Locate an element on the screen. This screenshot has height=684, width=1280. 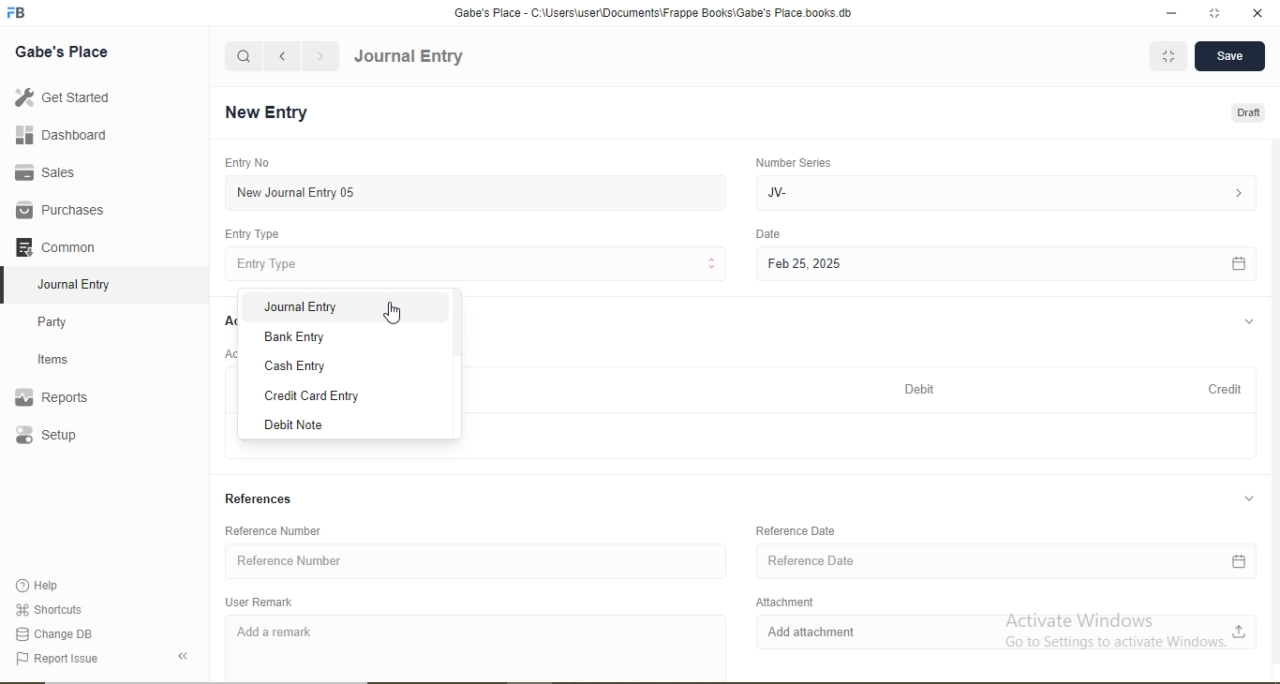
Credit is located at coordinates (1219, 388).